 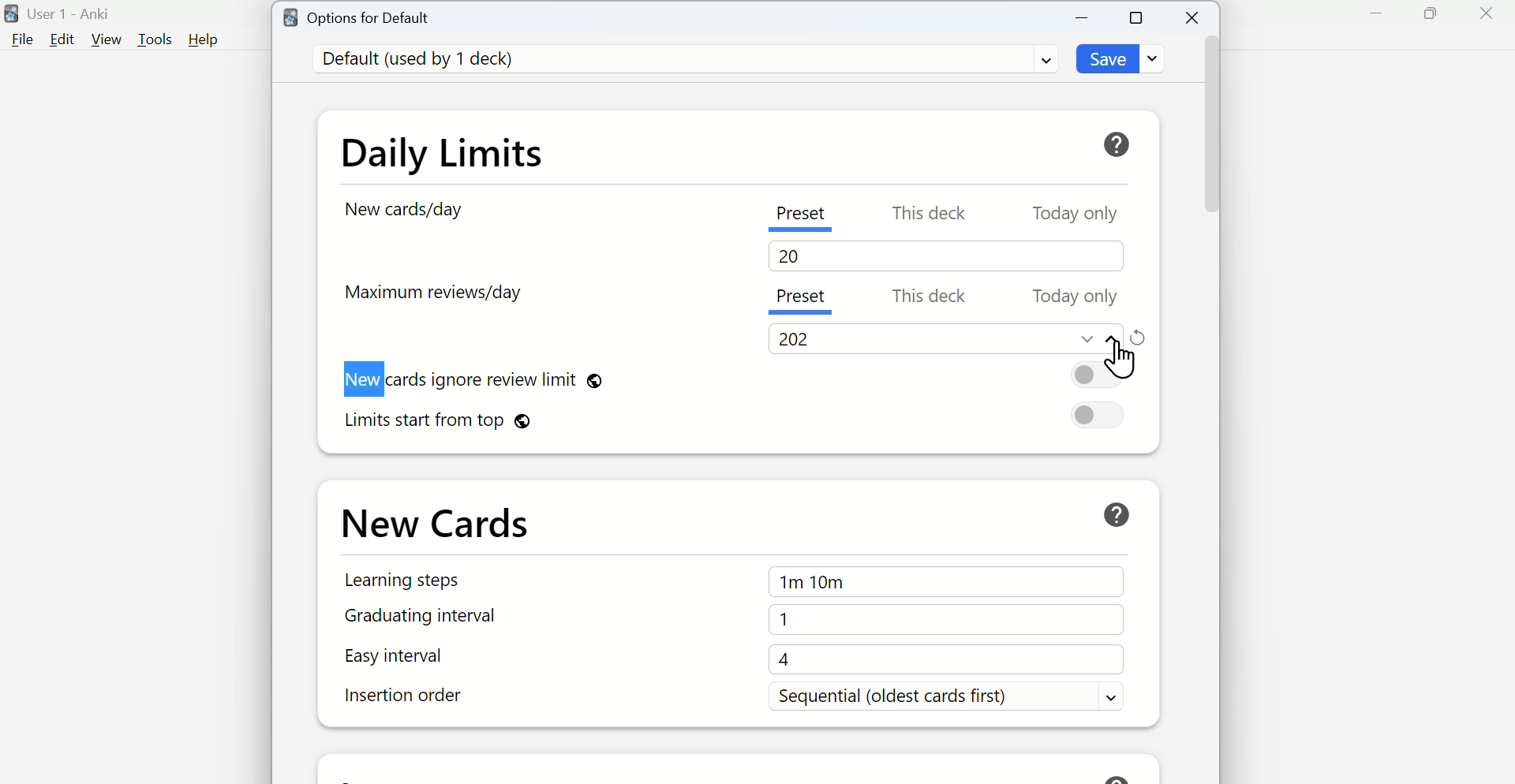 I want to click on Maximize, so click(x=1430, y=14).